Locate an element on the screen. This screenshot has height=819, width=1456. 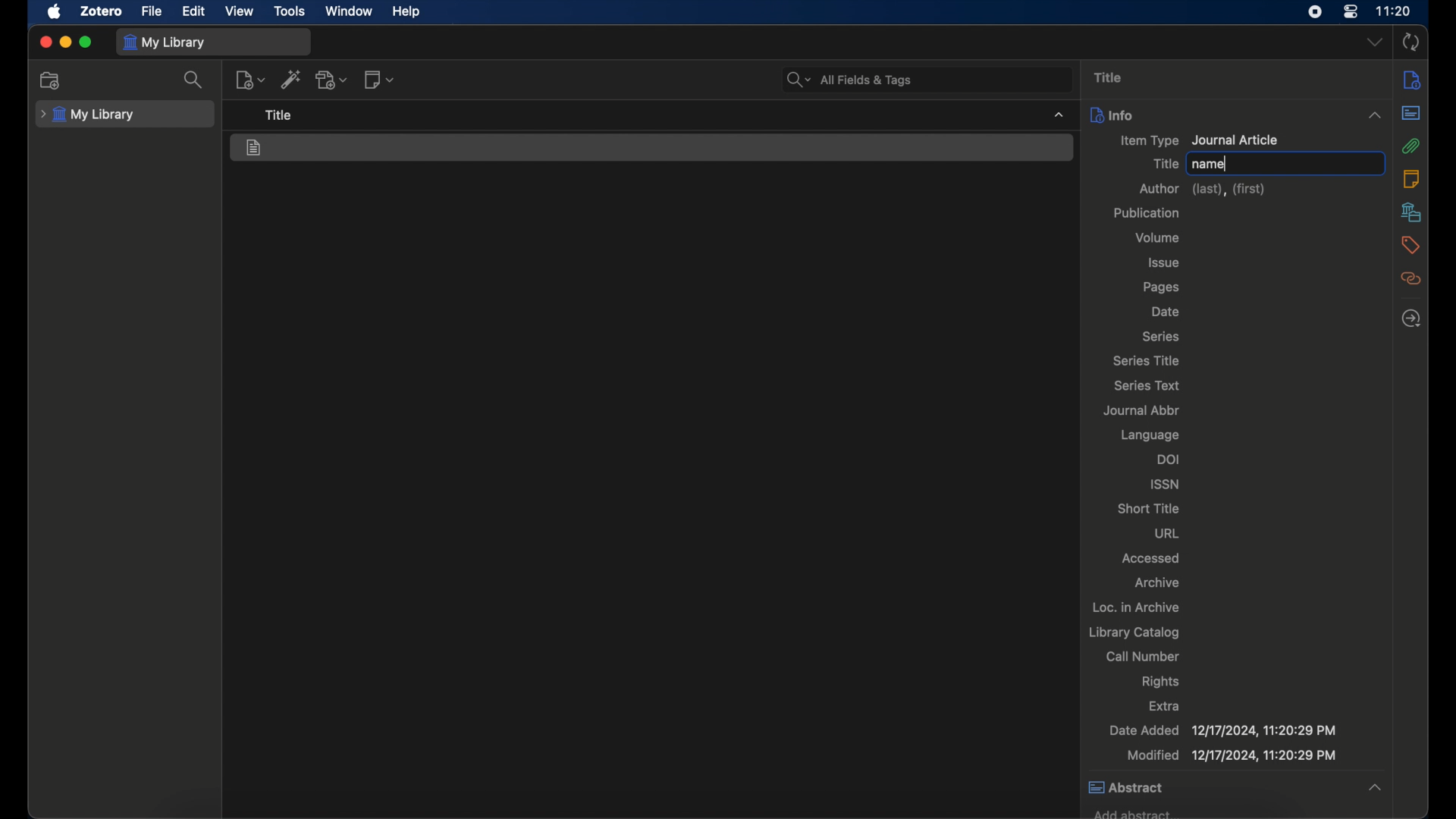
search is located at coordinates (847, 78).